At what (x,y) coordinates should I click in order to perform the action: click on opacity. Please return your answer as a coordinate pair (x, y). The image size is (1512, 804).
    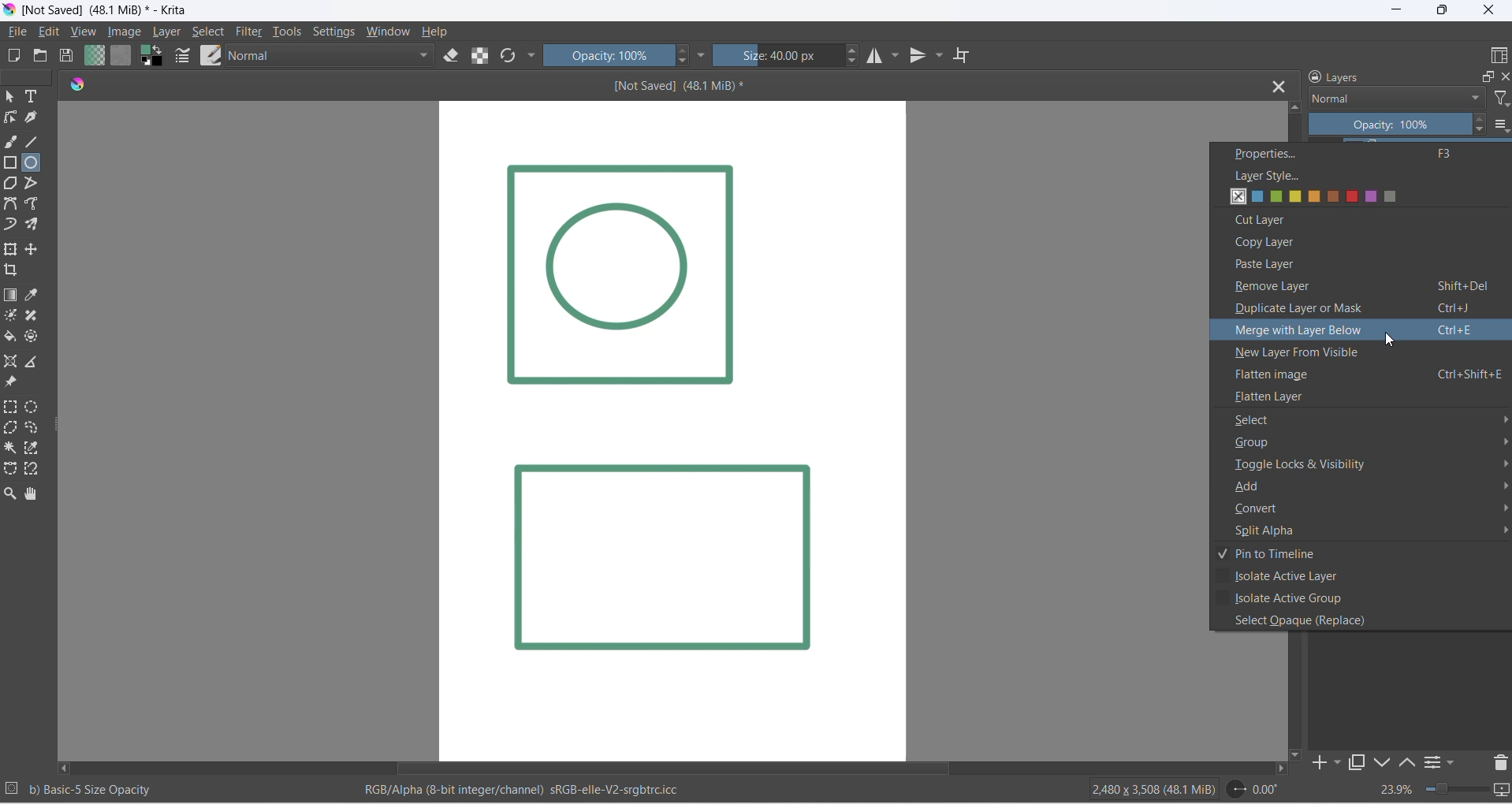
    Looking at the image, I should click on (605, 56).